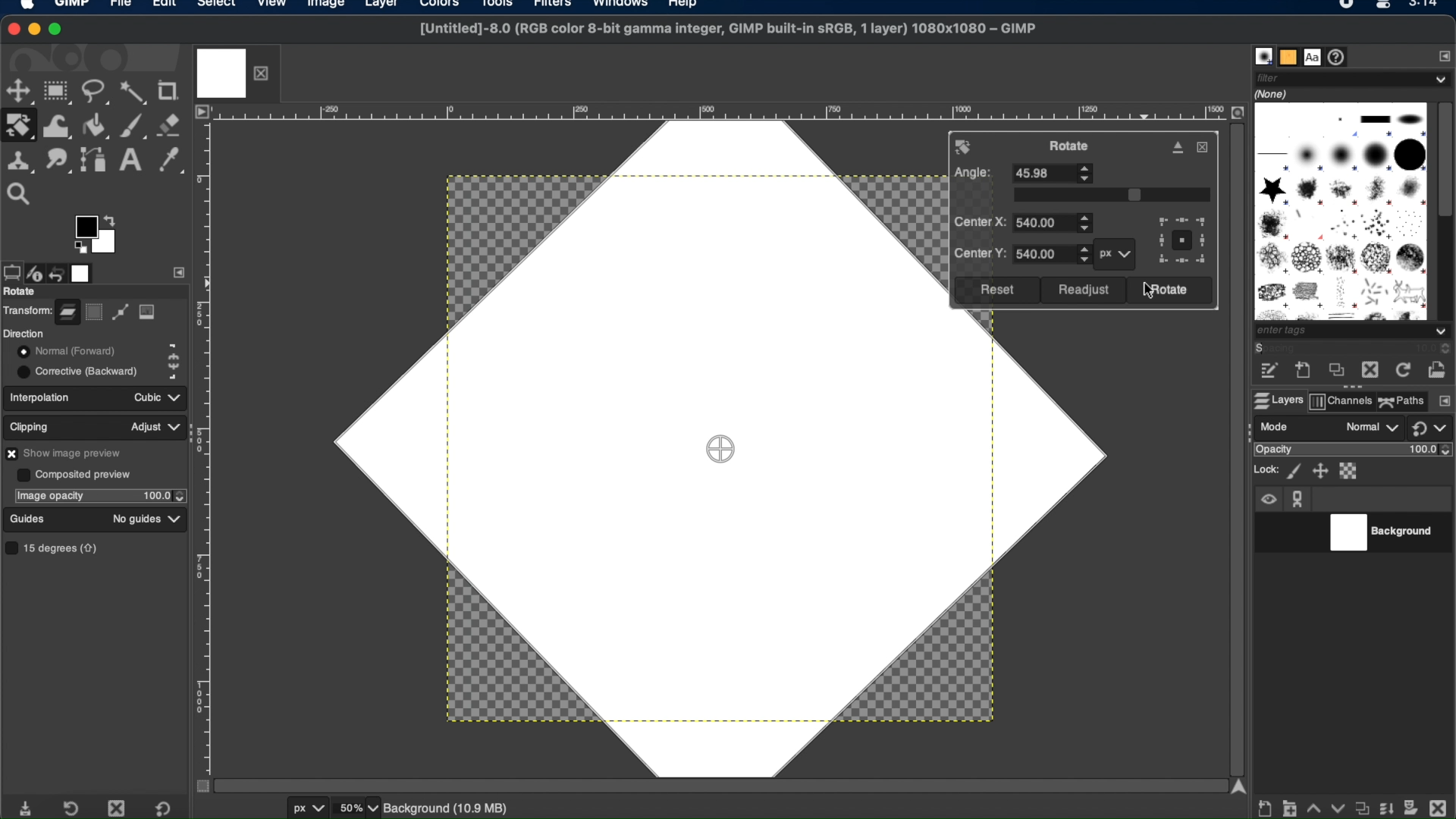 The height and width of the screenshot is (819, 1456). What do you see at coordinates (74, 807) in the screenshot?
I see `restore tool preset` at bounding box center [74, 807].